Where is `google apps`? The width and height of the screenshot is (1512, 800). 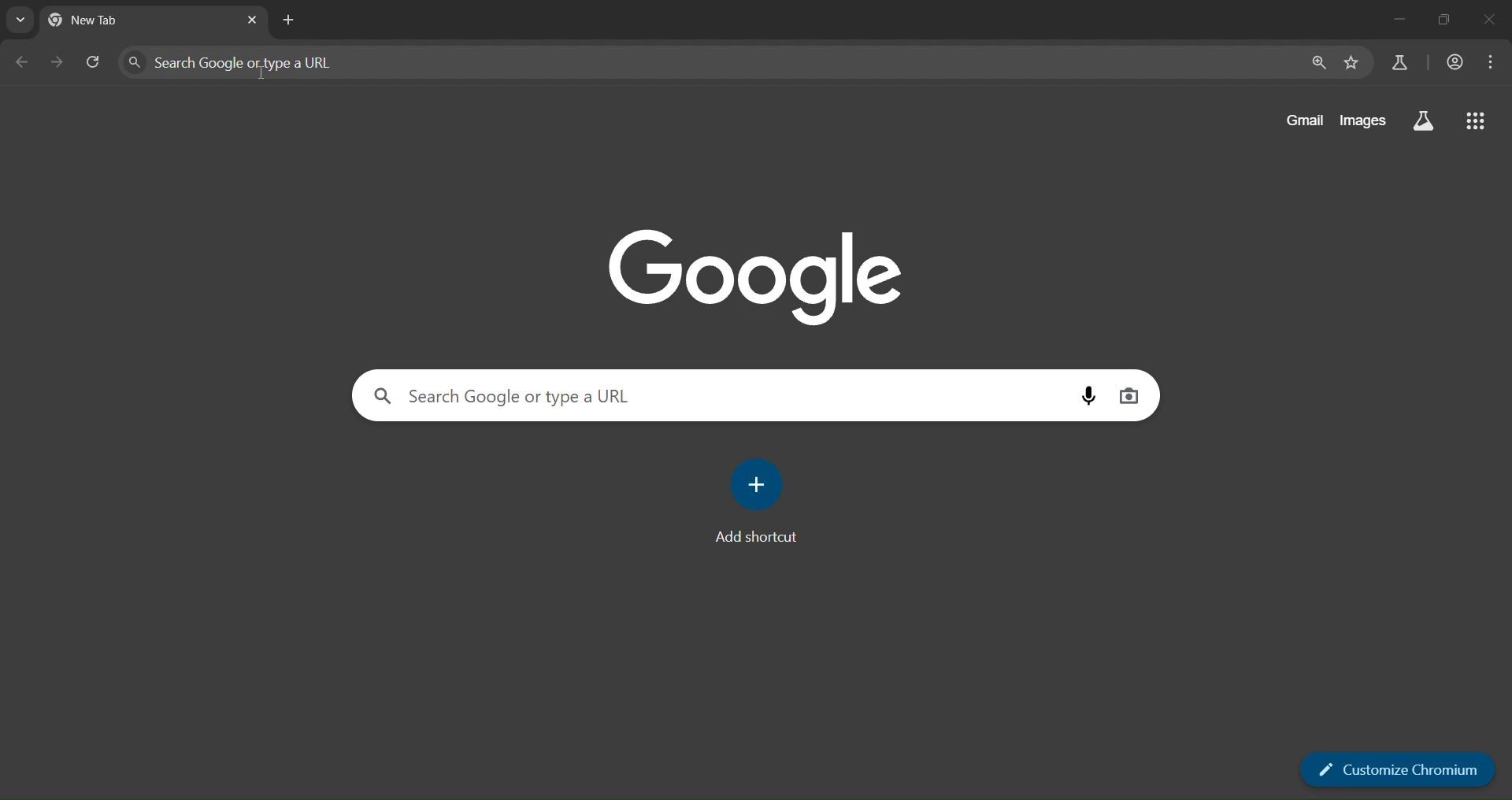 google apps is located at coordinates (1478, 119).